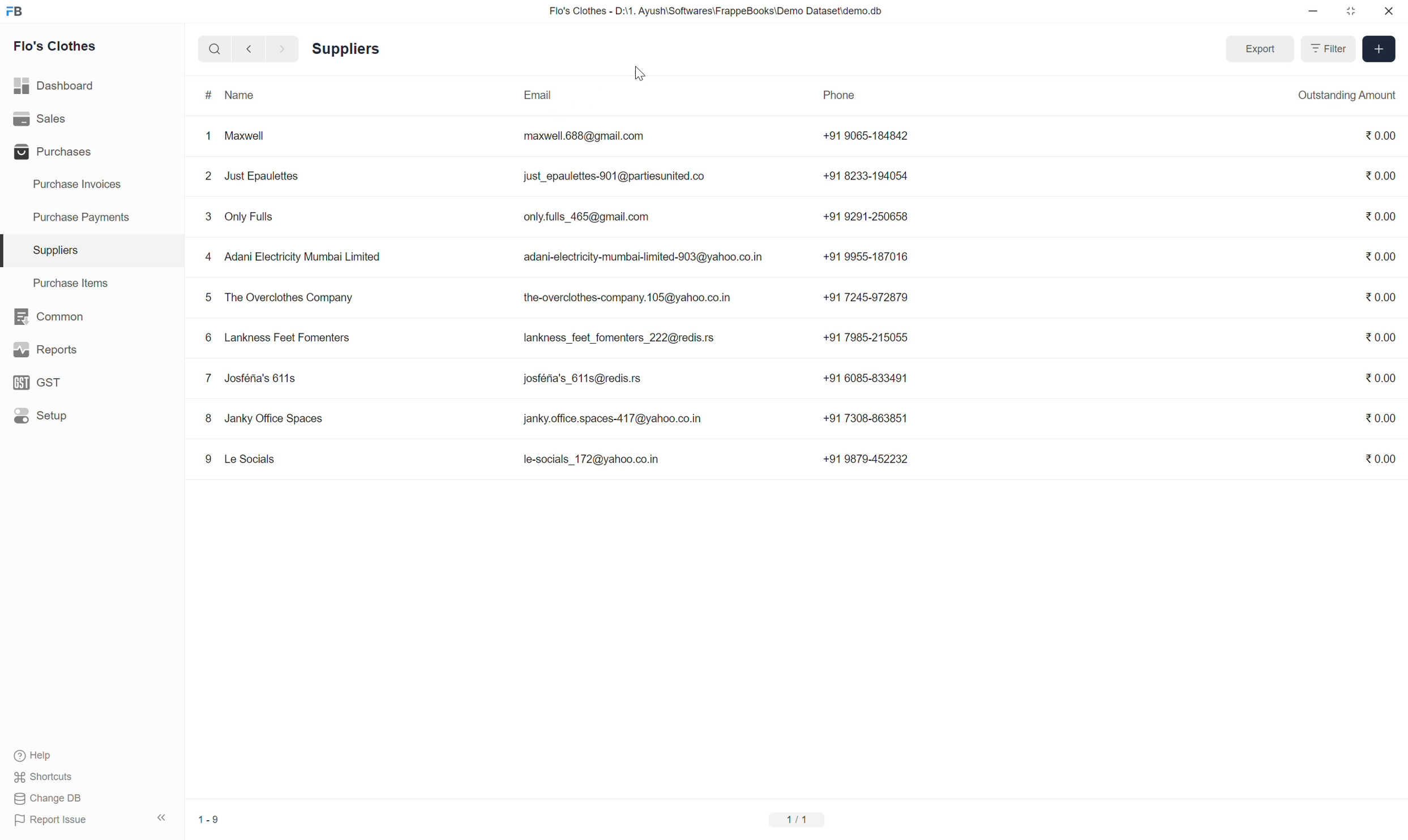 The width and height of the screenshot is (1408, 840). Describe the element at coordinates (207, 419) in the screenshot. I see `8` at that location.